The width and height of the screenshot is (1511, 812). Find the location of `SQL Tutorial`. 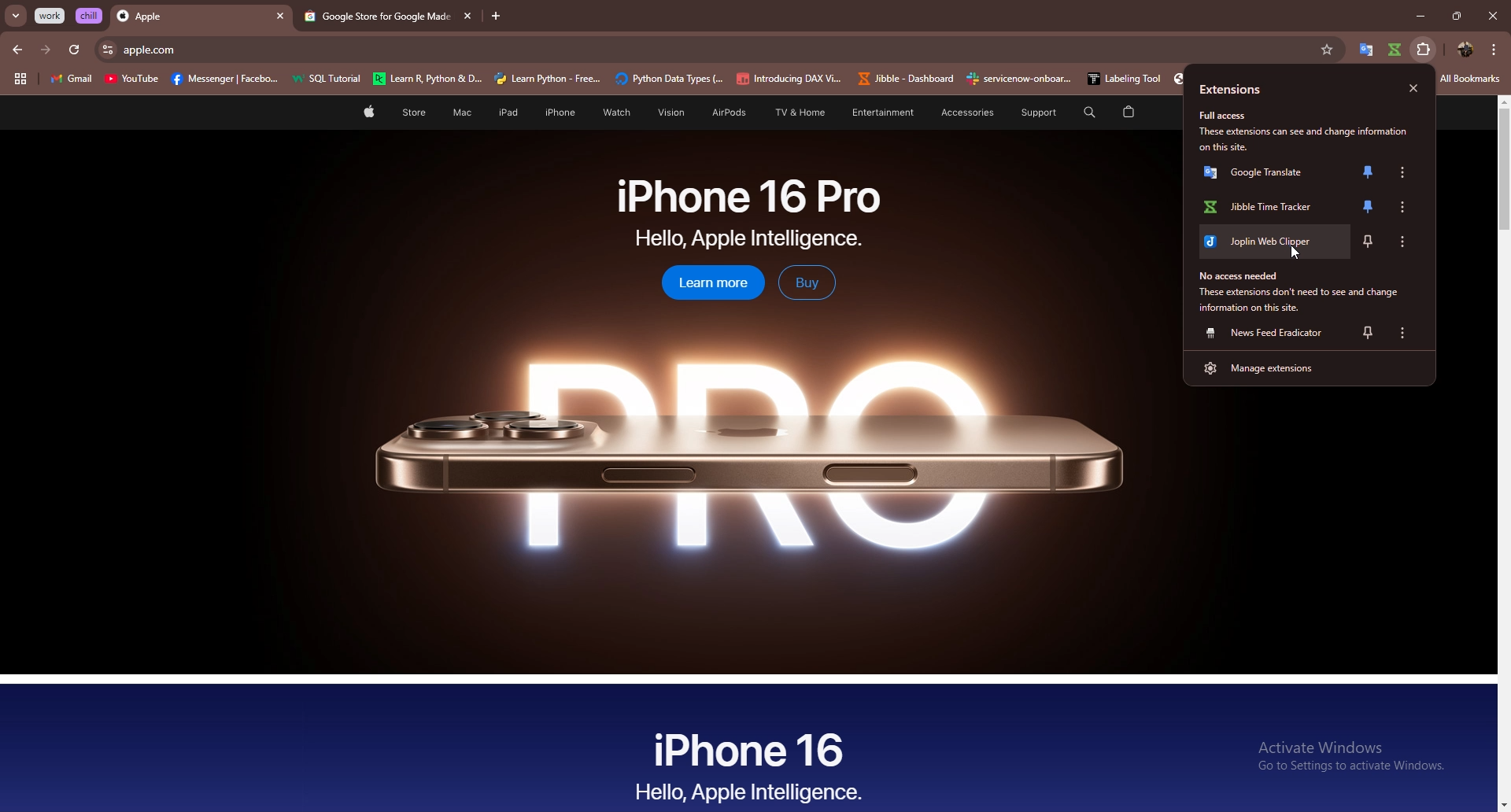

SQL Tutorial is located at coordinates (331, 80).